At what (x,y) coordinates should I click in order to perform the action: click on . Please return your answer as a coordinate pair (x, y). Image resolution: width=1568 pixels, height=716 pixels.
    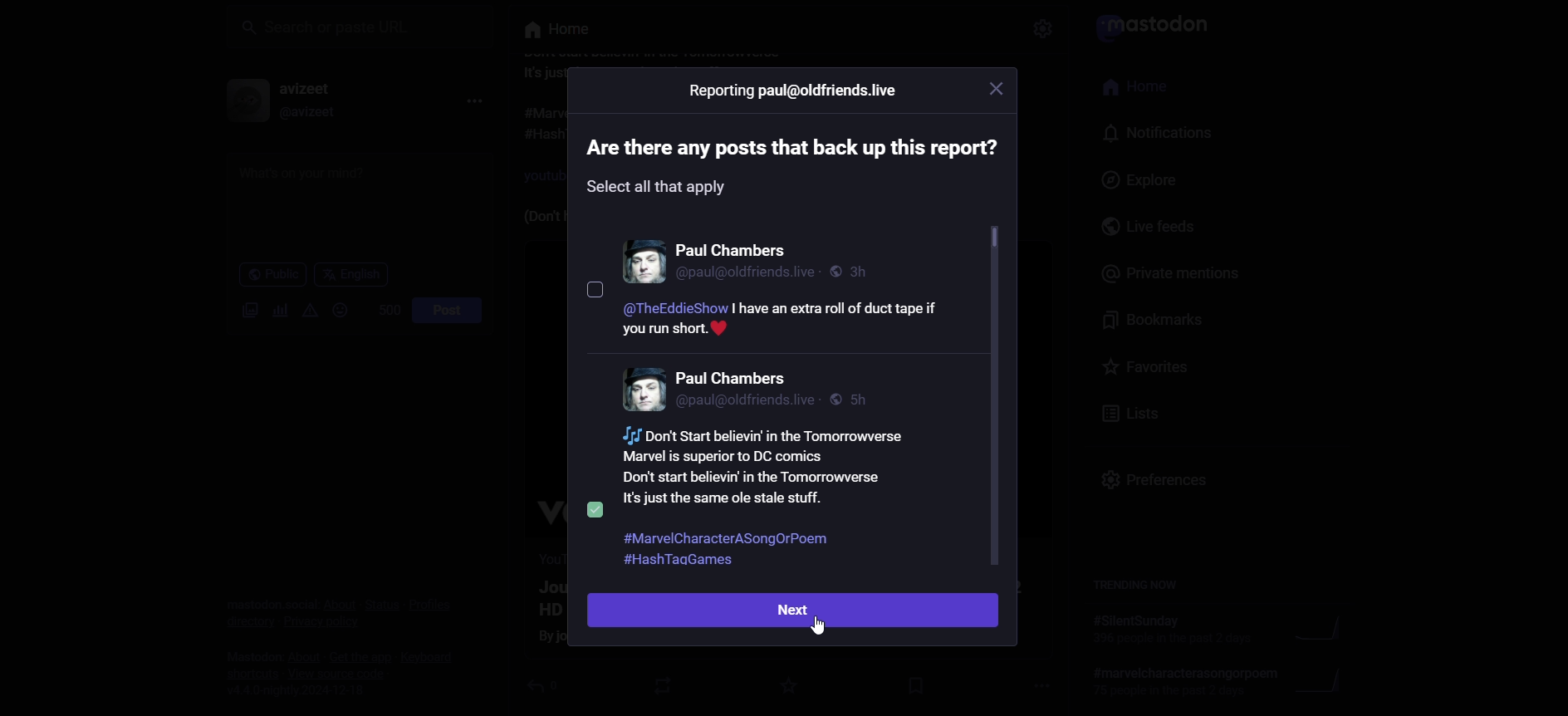
    Looking at the image, I should click on (853, 270).